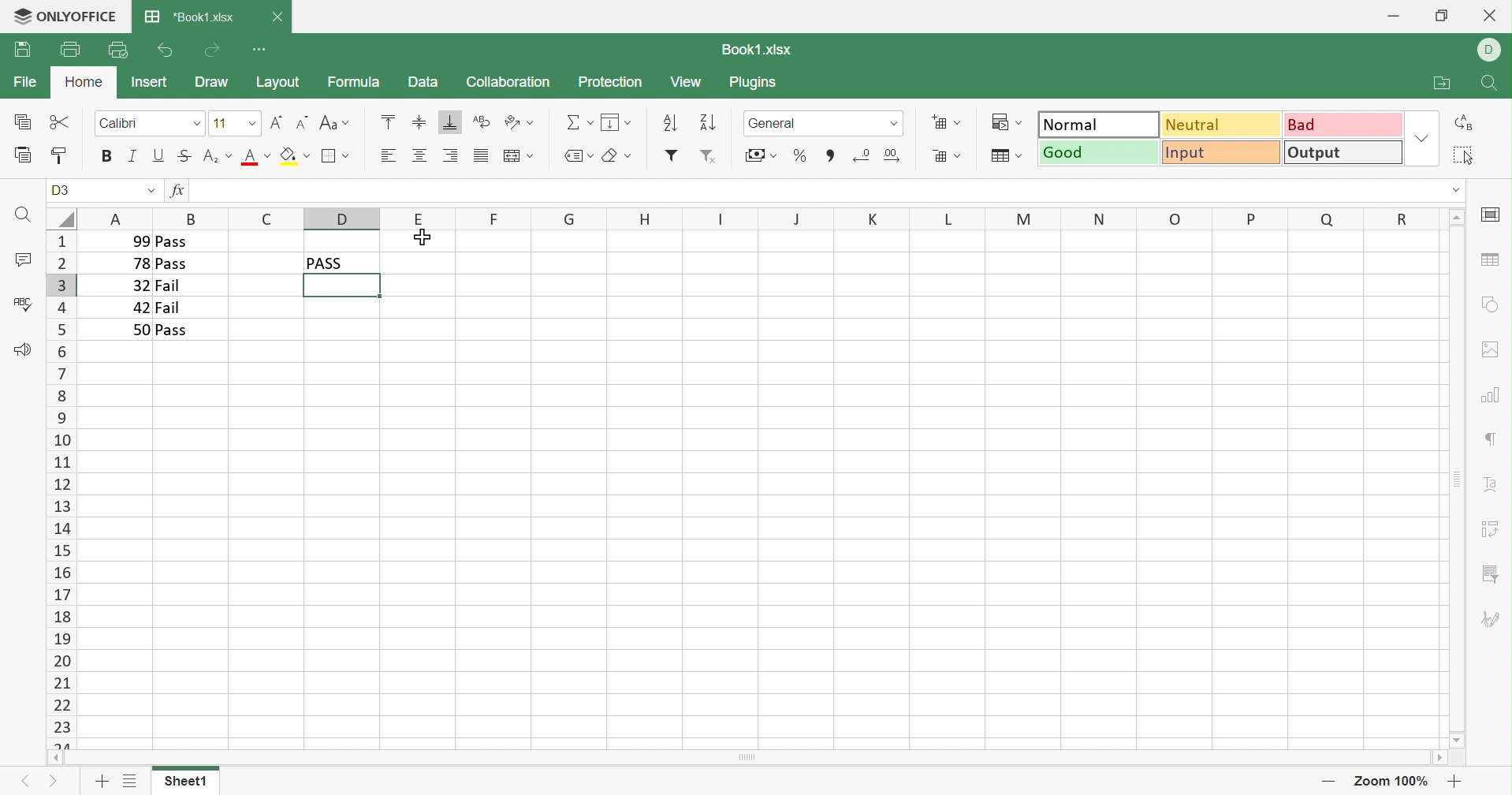 This screenshot has height=795, width=1512. What do you see at coordinates (24, 155) in the screenshot?
I see `Paste` at bounding box center [24, 155].